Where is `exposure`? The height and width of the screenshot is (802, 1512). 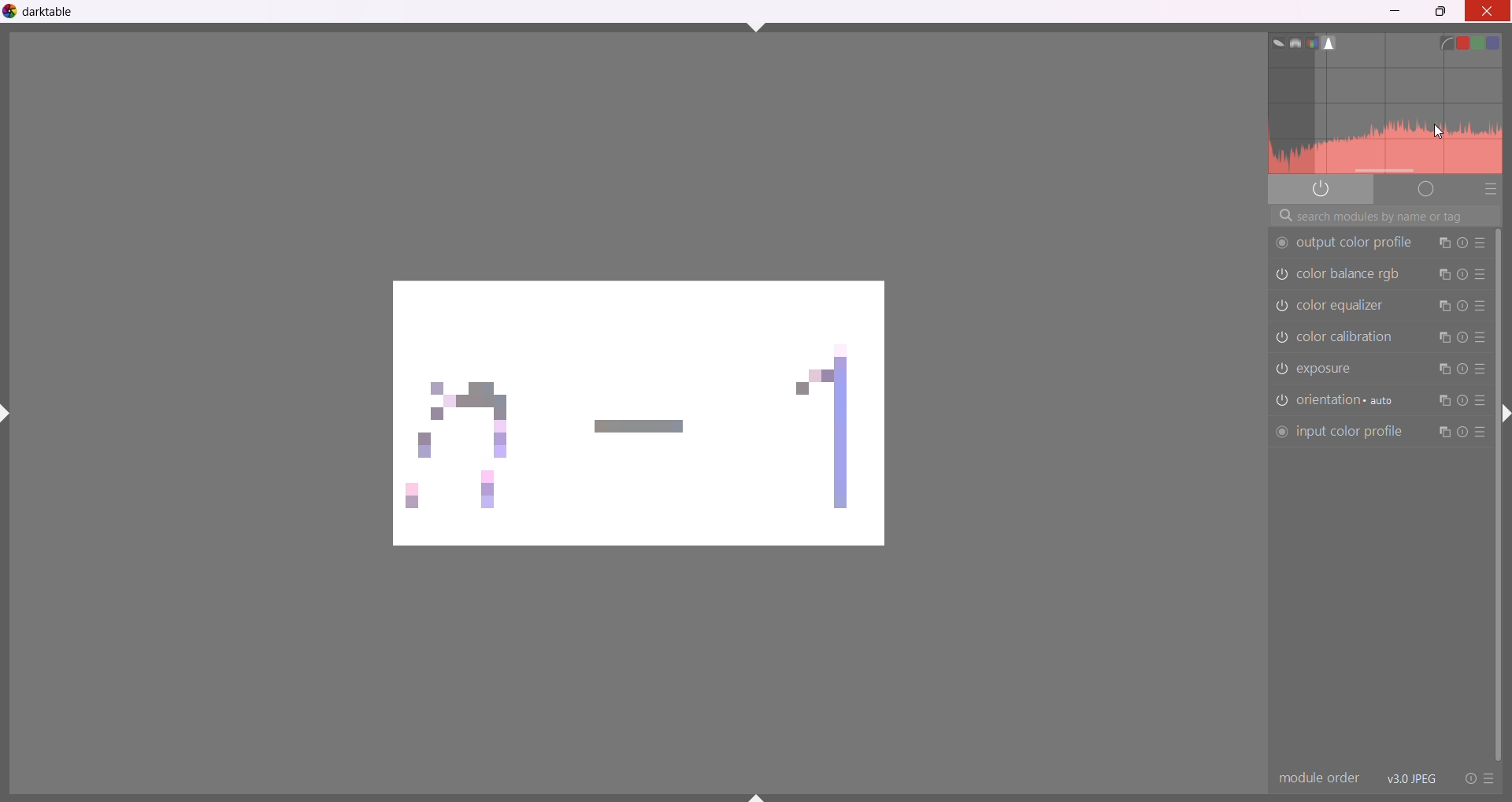 exposure is located at coordinates (1337, 370).